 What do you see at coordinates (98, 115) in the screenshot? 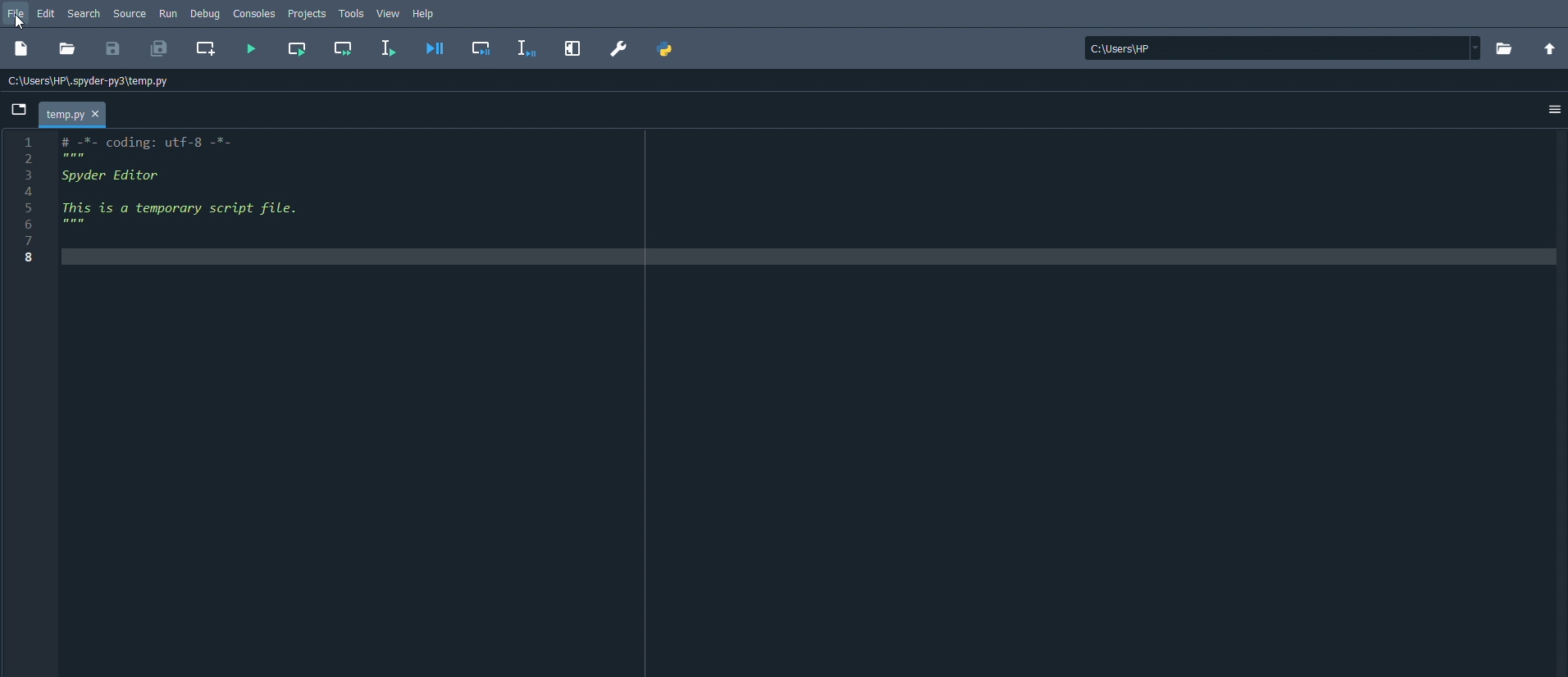
I see `cross` at bounding box center [98, 115].